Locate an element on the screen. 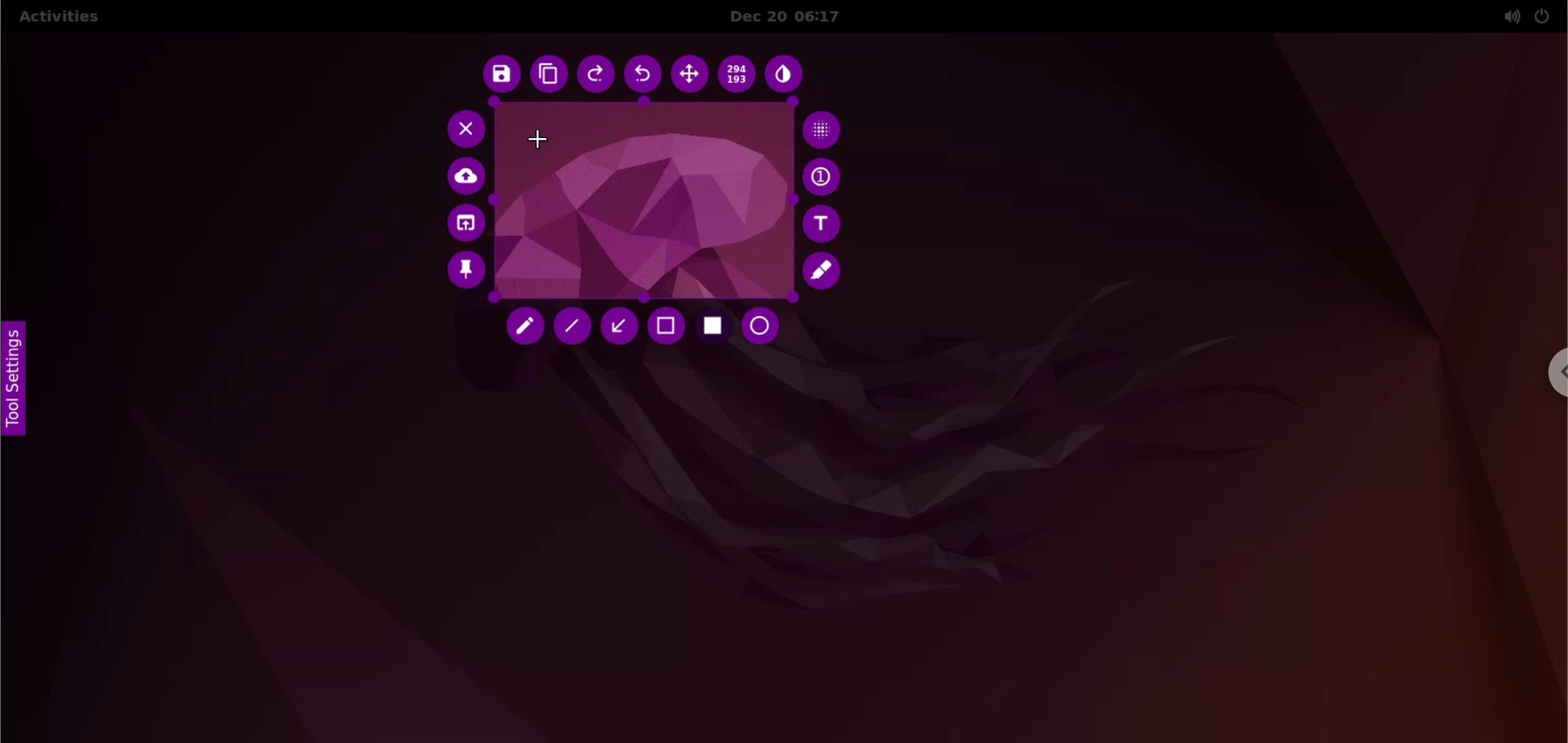 This screenshot has height=743, width=1568. cursor is located at coordinates (544, 141).